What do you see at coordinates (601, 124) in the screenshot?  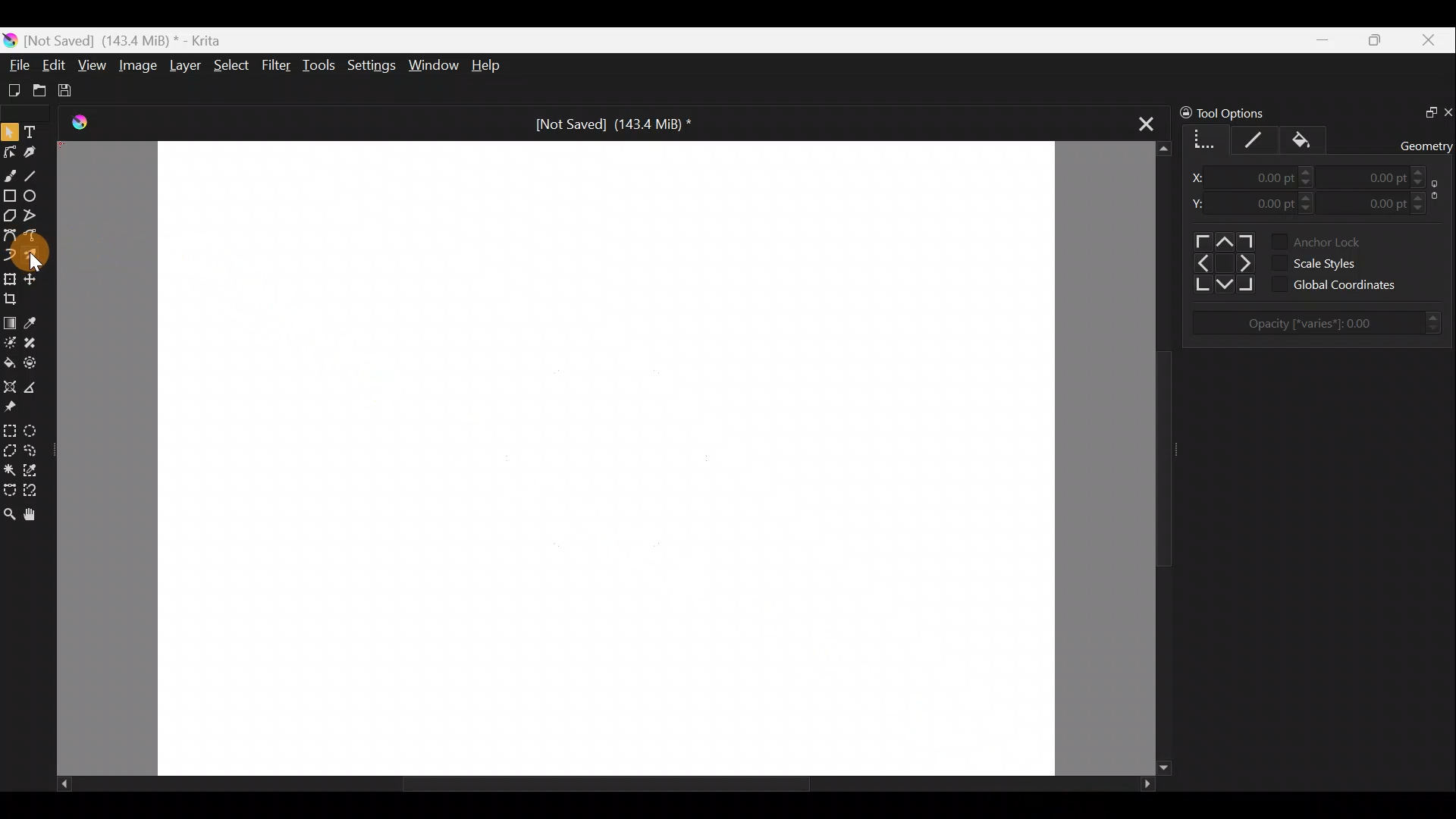 I see `Not Saved] (143.4 MiB) *` at bounding box center [601, 124].